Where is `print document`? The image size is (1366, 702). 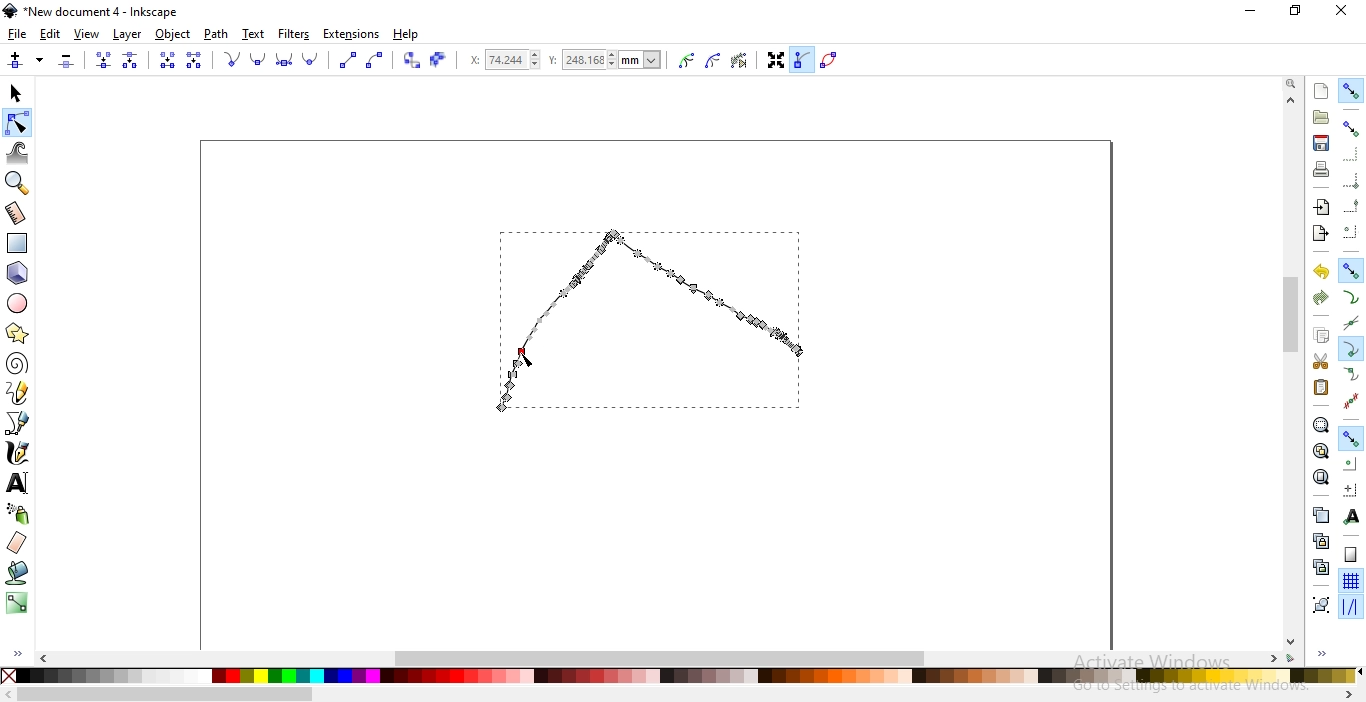
print document is located at coordinates (1320, 169).